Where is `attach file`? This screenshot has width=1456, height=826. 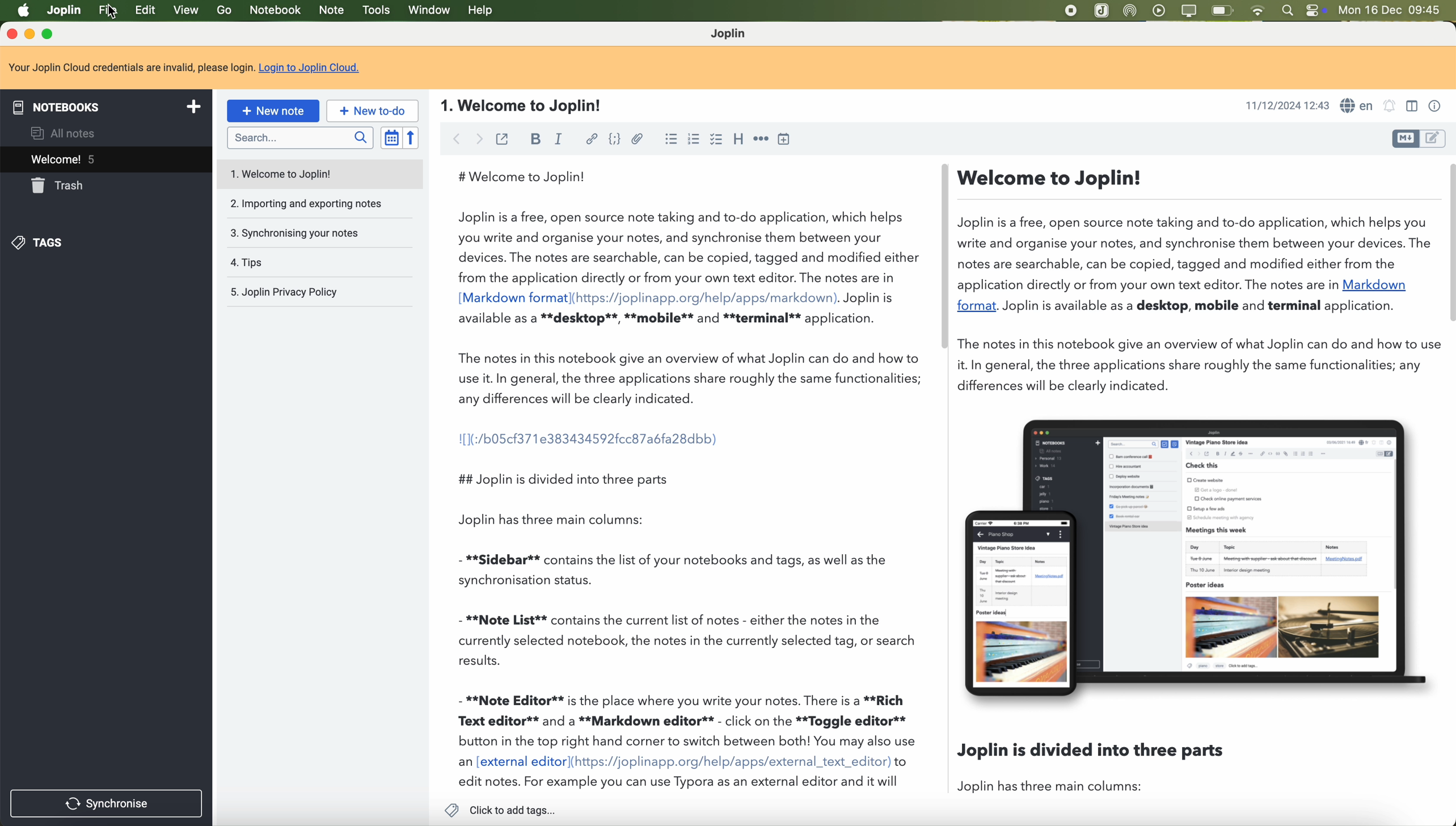 attach file is located at coordinates (639, 138).